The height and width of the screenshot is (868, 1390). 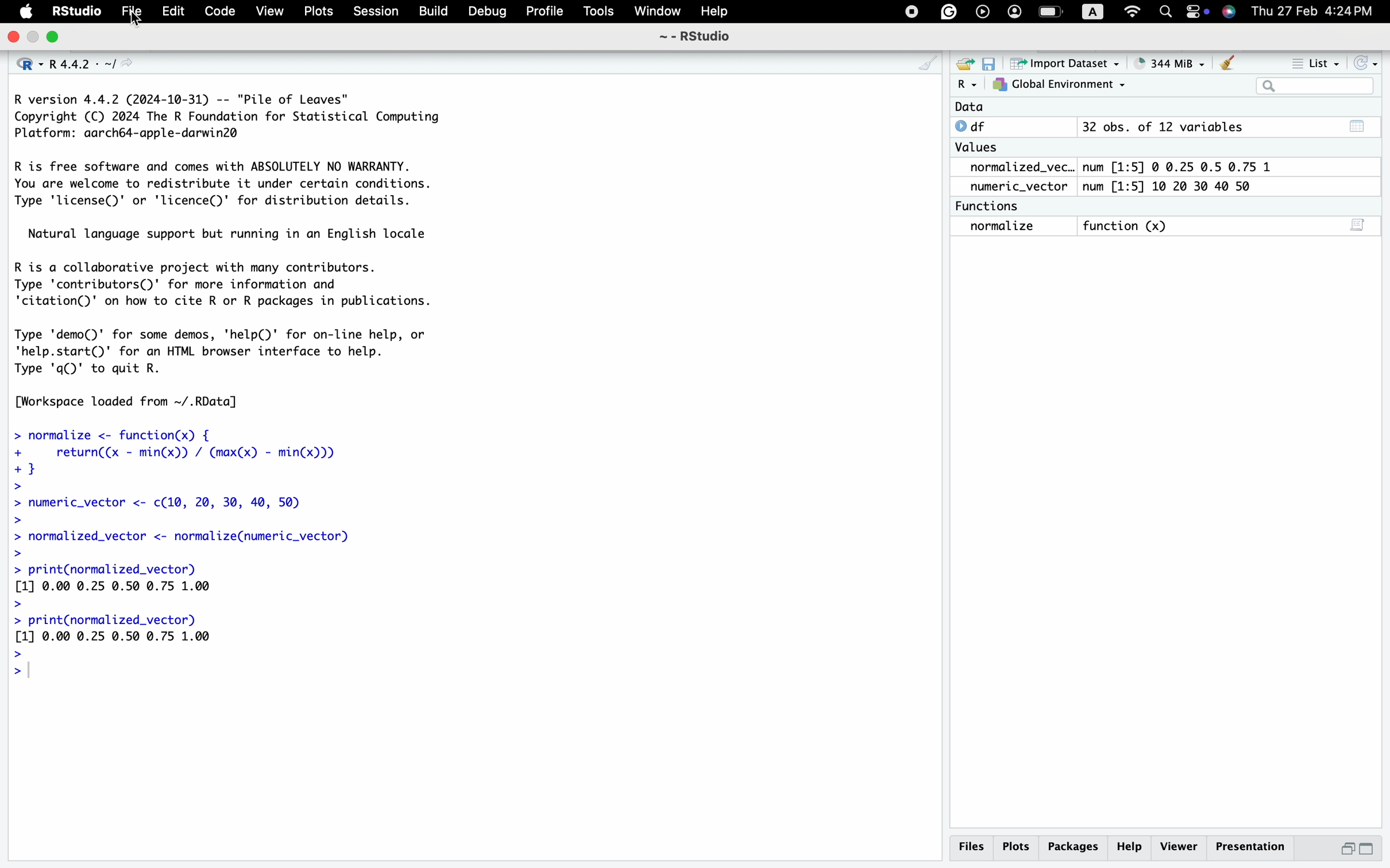 What do you see at coordinates (1253, 847) in the screenshot?
I see `Presentation` at bounding box center [1253, 847].